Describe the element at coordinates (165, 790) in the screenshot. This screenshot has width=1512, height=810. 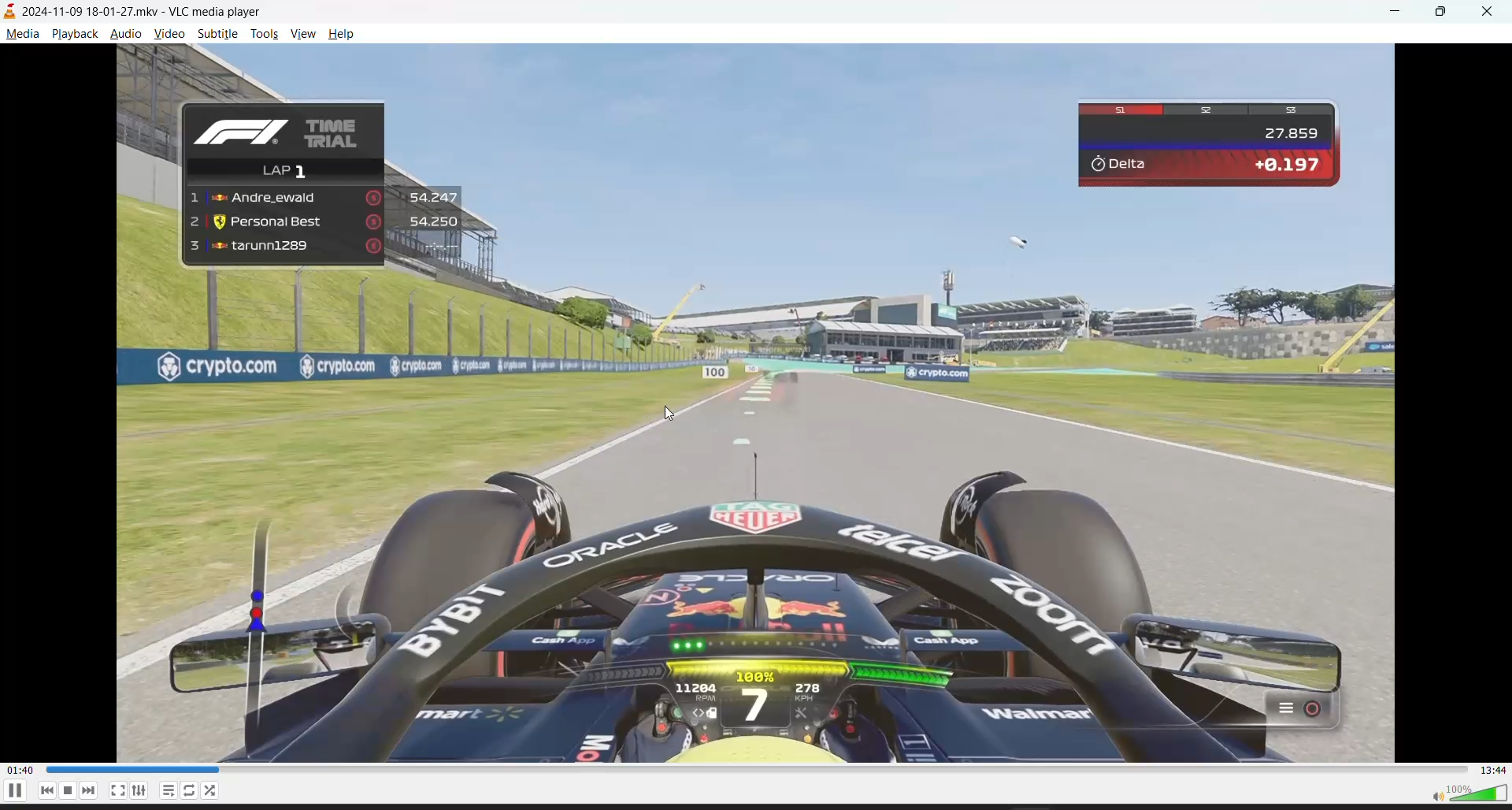
I see `playlist` at that location.